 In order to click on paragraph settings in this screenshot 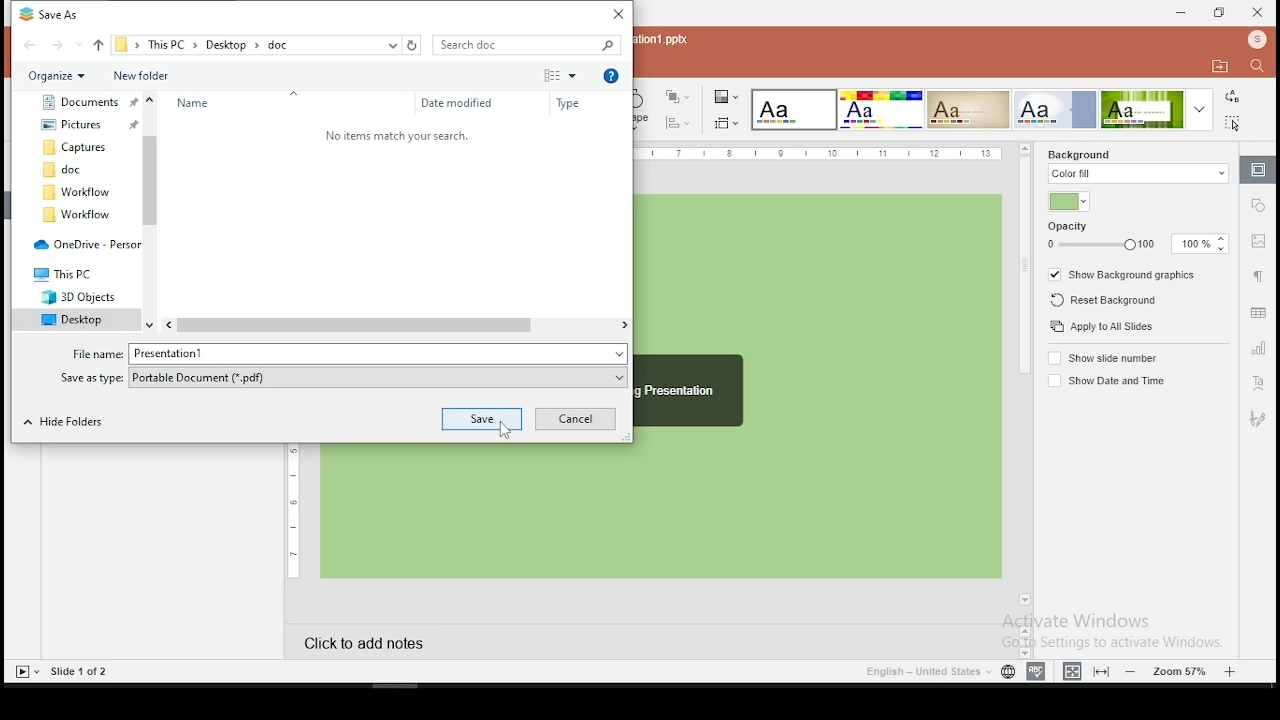, I will do `click(1260, 280)`.